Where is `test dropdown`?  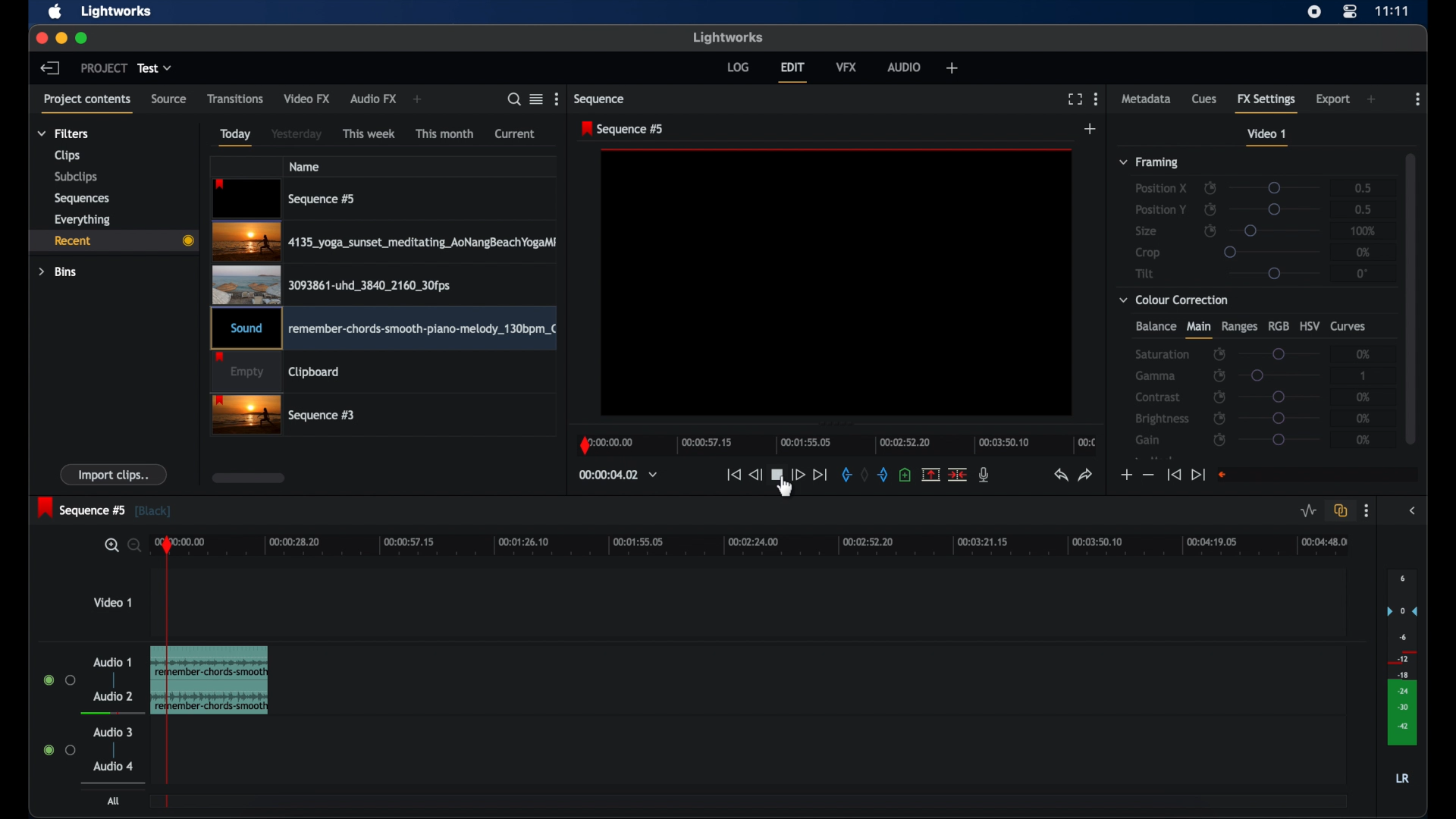
test dropdown is located at coordinates (155, 68).